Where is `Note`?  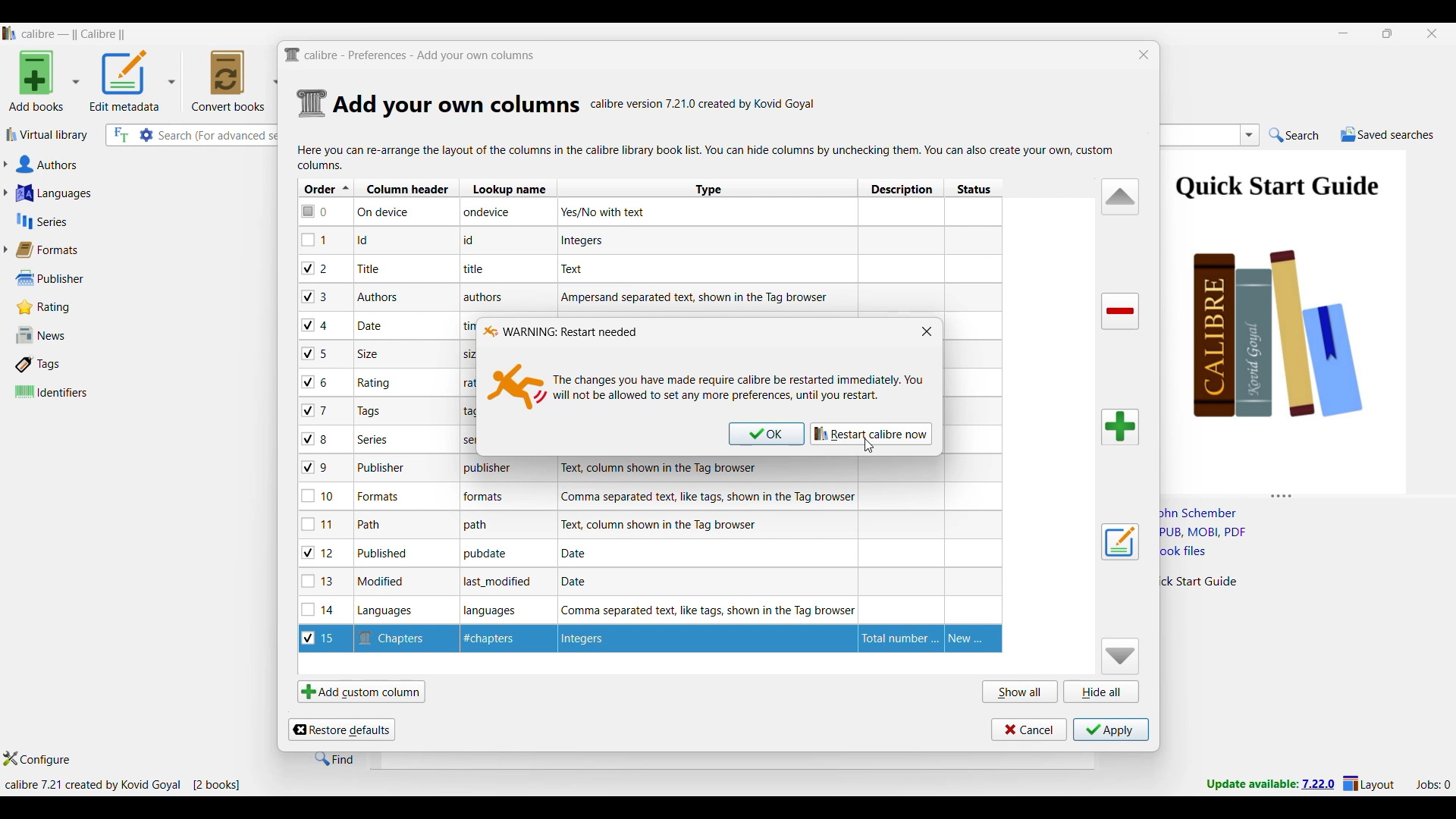 Note is located at coordinates (393, 611).